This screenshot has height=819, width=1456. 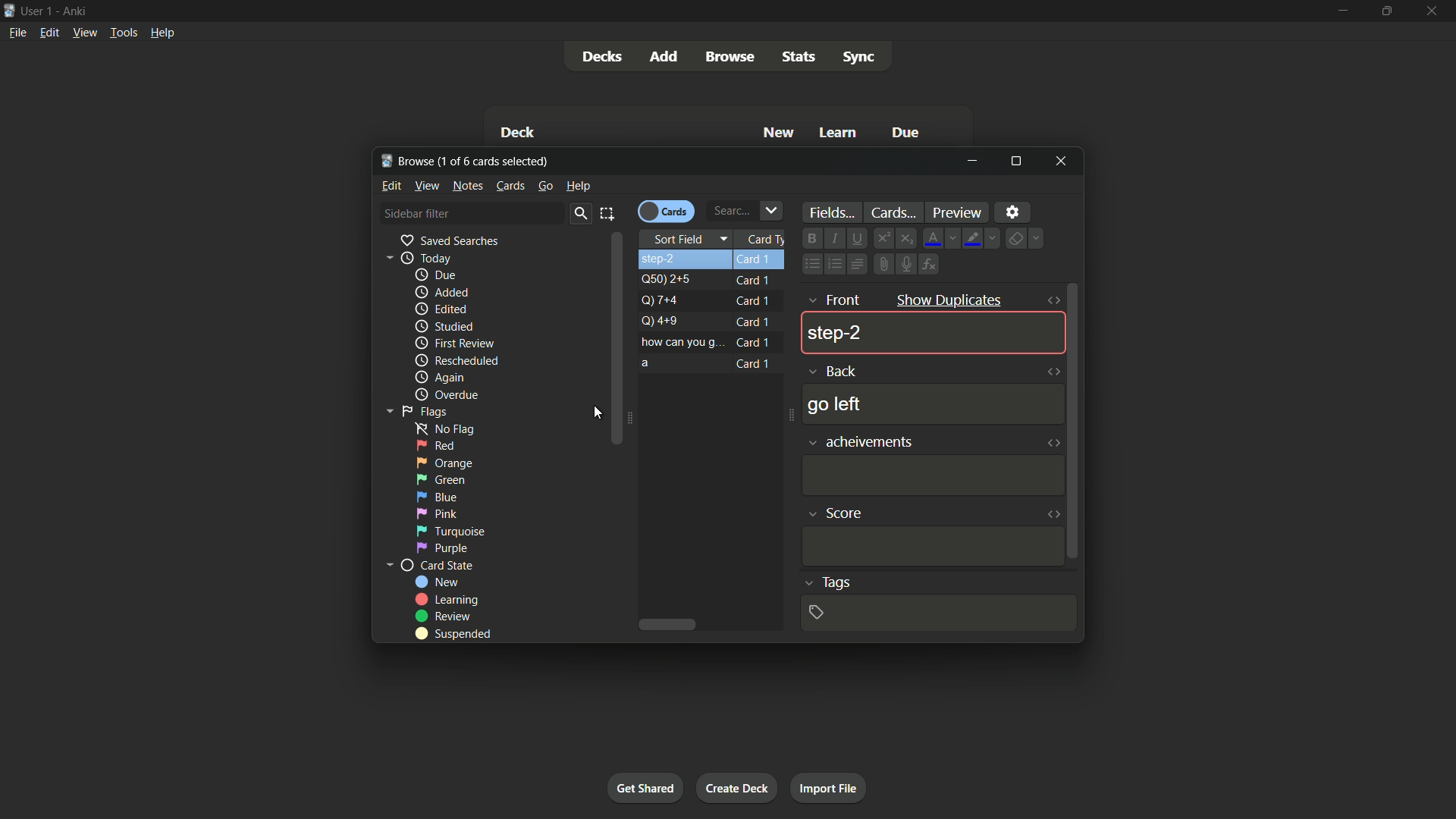 What do you see at coordinates (439, 378) in the screenshot?
I see `again` at bounding box center [439, 378].